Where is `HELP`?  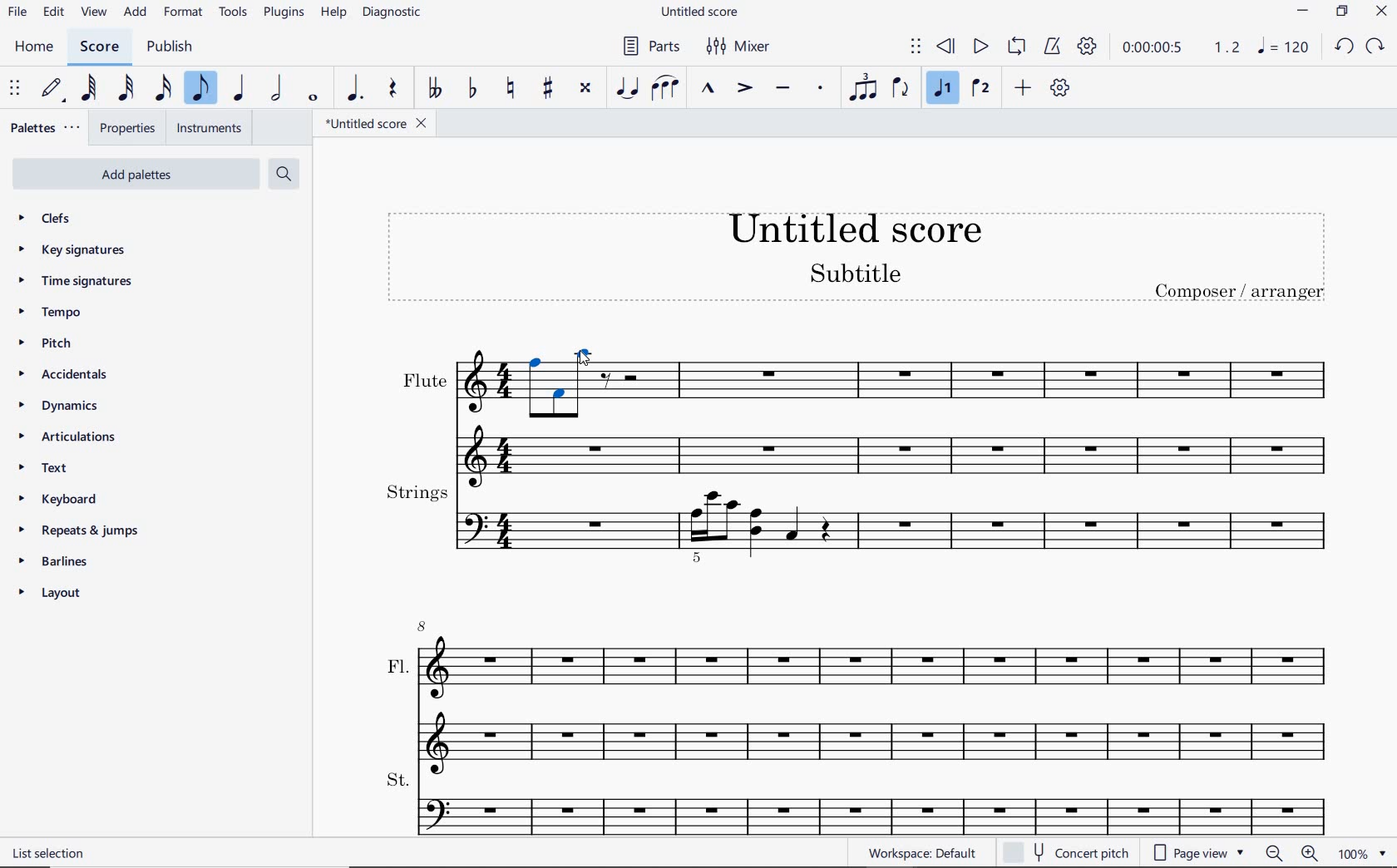 HELP is located at coordinates (333, 14).